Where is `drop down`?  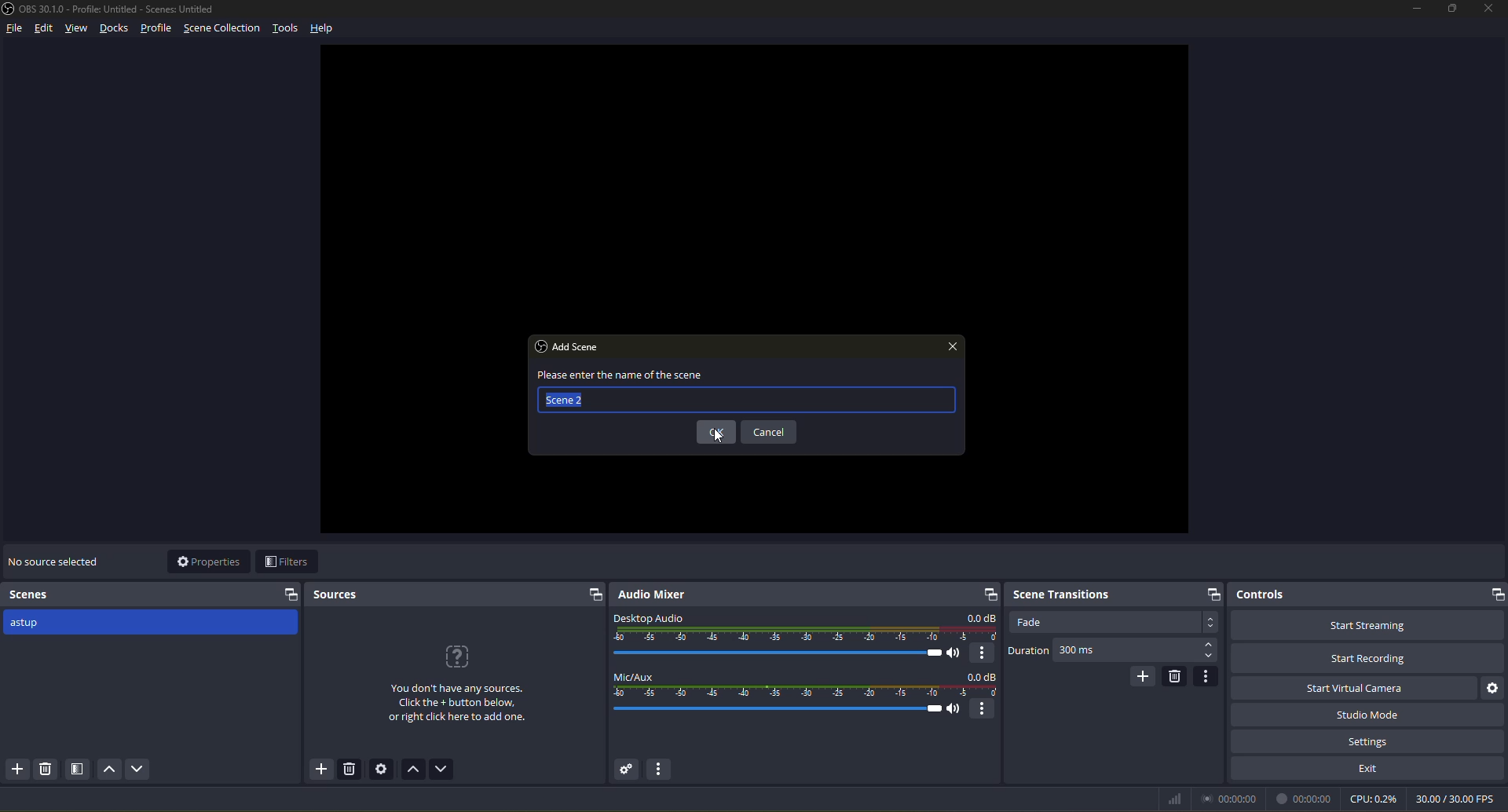
drop down is located at coordinates (1210, 623).